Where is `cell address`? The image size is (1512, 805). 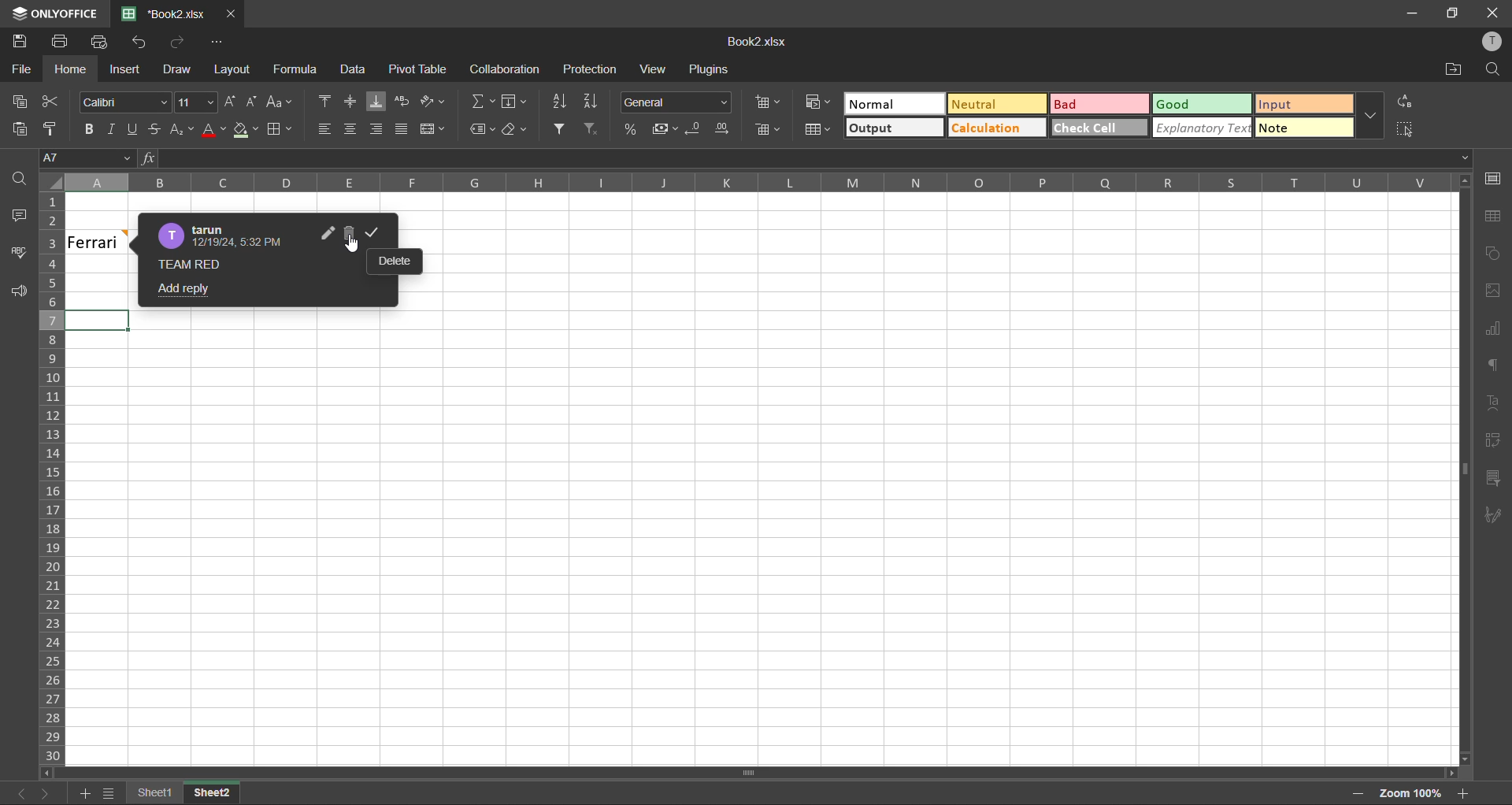 cell address is located at coordinates (86, 158).